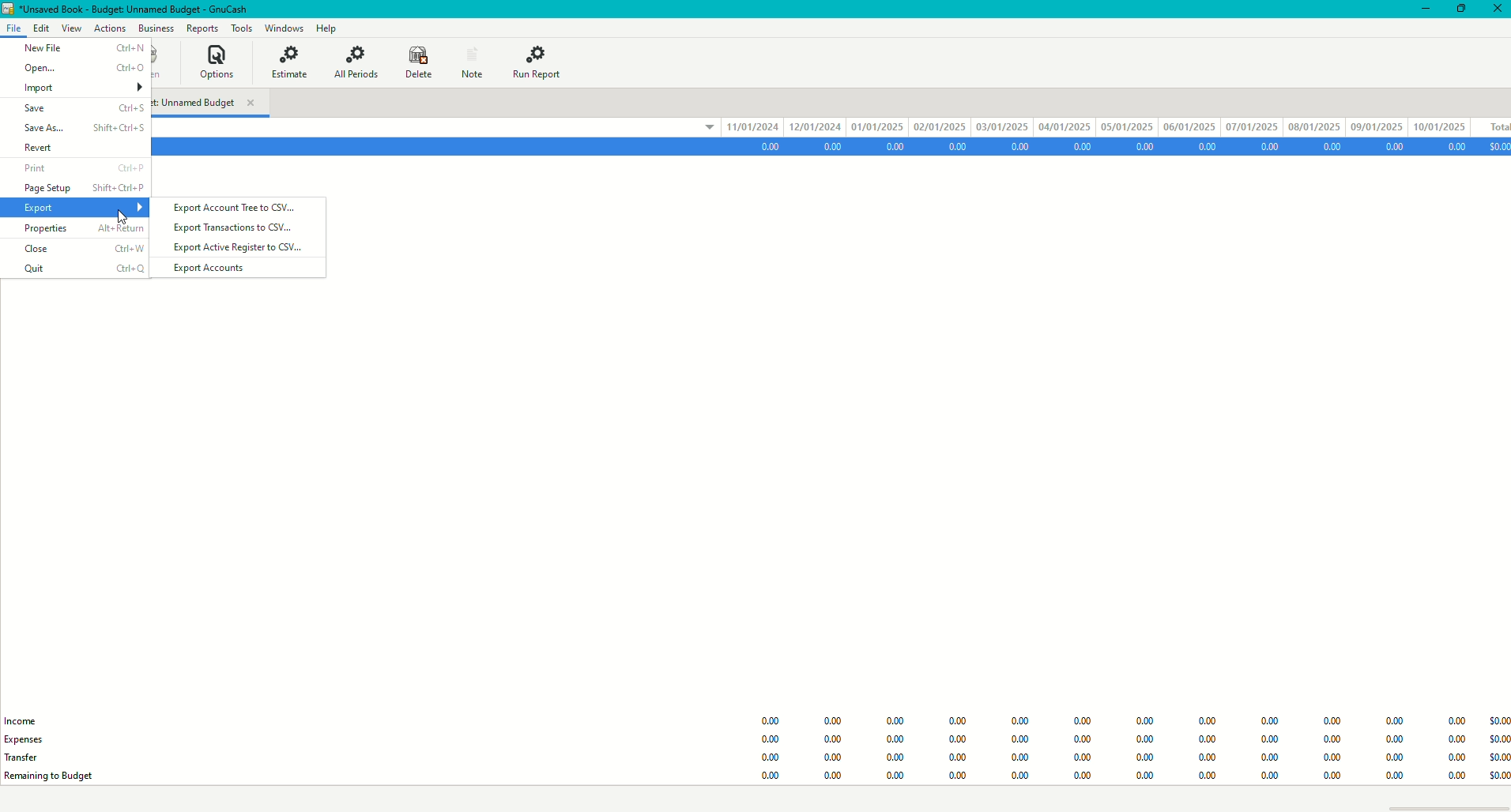 Image resolution: width=1511 pixels, height=812 pixels. Describe the element at coordinates (24, 757) in the screenshot. I see `Transfer` at that location.